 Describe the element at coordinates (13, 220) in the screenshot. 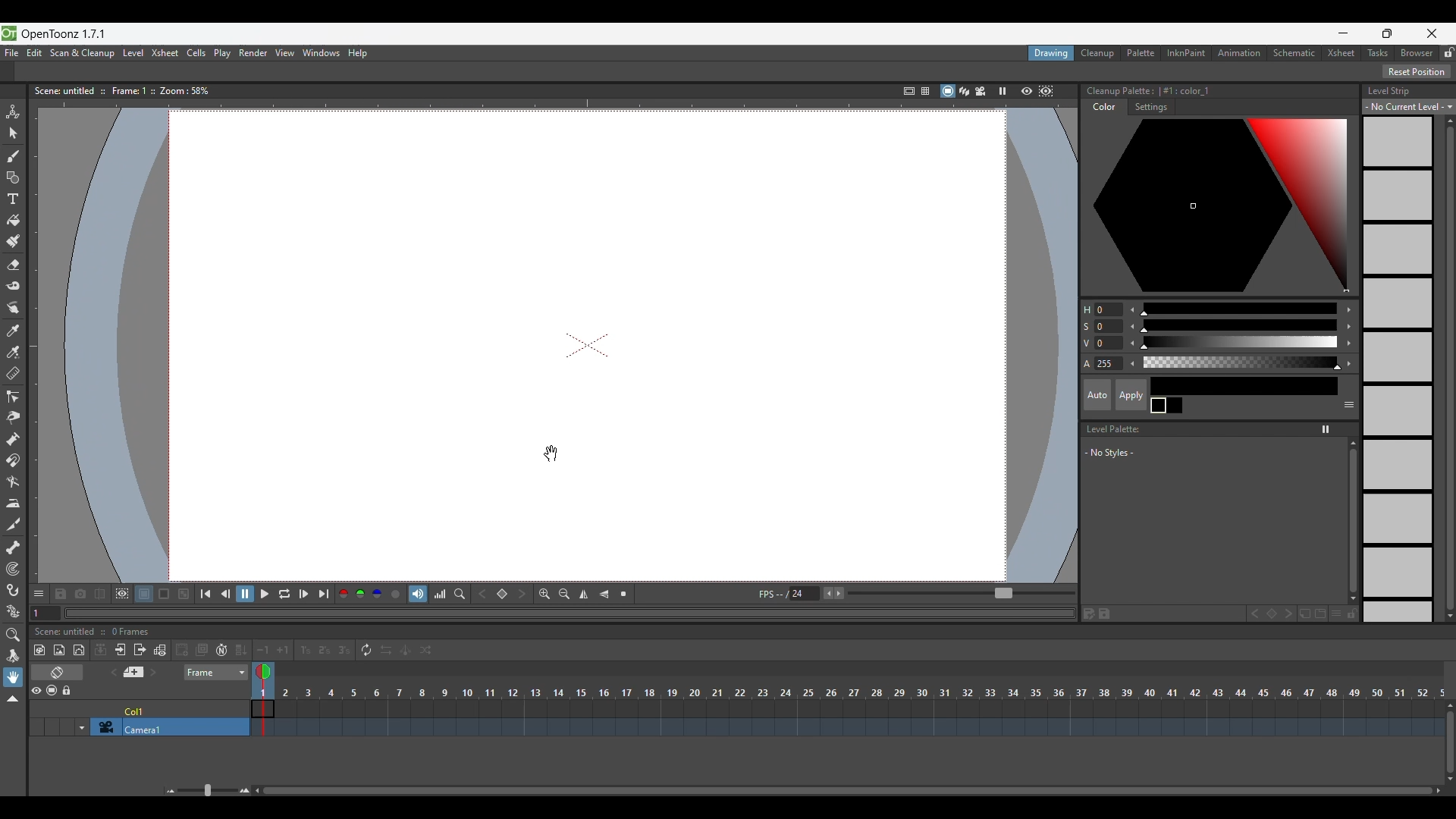

I see `Fill tool` at that location.